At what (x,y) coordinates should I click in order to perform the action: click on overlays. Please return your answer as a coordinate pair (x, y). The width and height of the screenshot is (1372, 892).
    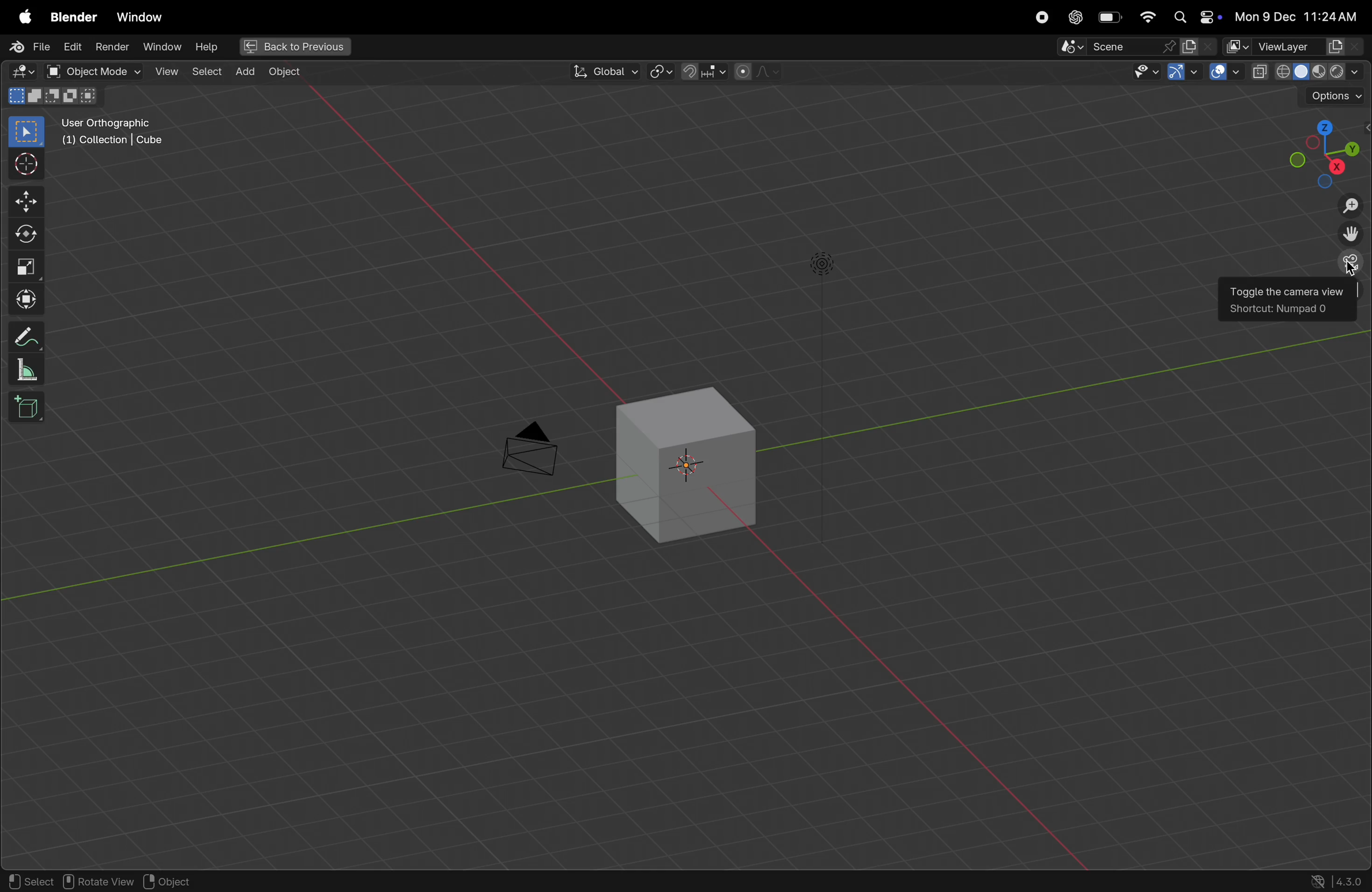
    Looking at the image, I should click on (1225, 71).